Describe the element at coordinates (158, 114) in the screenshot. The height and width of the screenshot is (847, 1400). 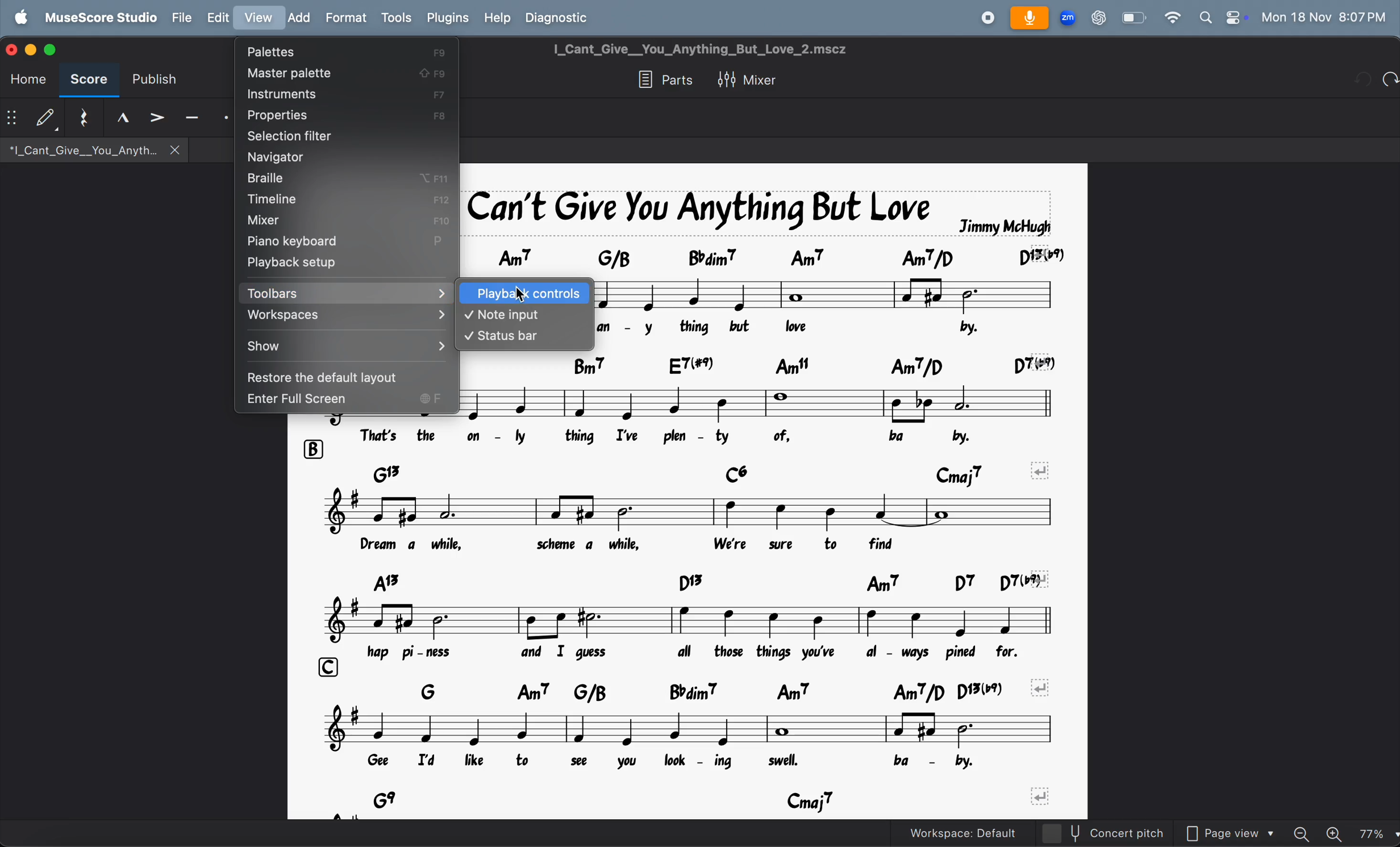
I see `accent` at that location.